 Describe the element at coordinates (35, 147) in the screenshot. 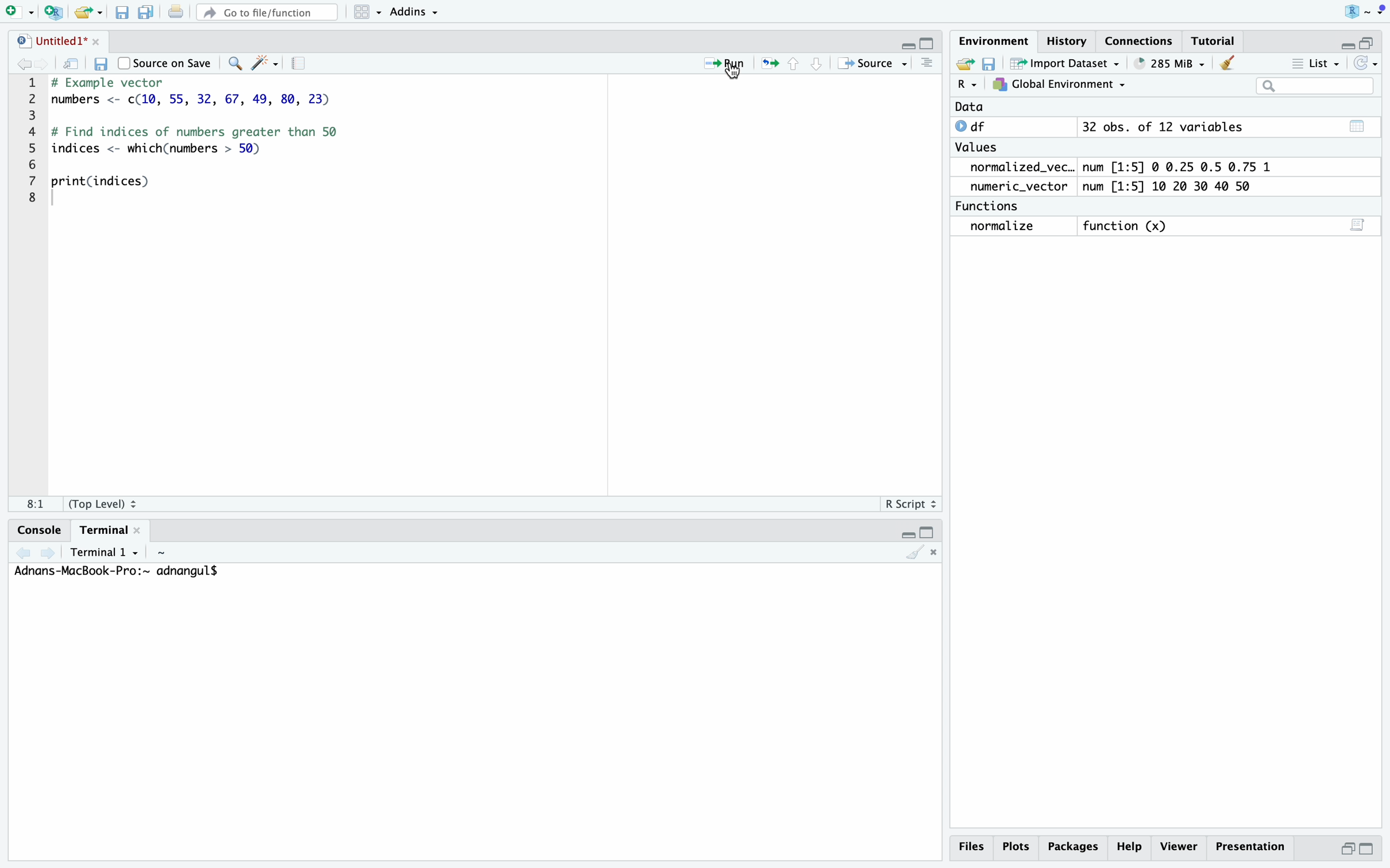

I see `CODE LINE` at that location.